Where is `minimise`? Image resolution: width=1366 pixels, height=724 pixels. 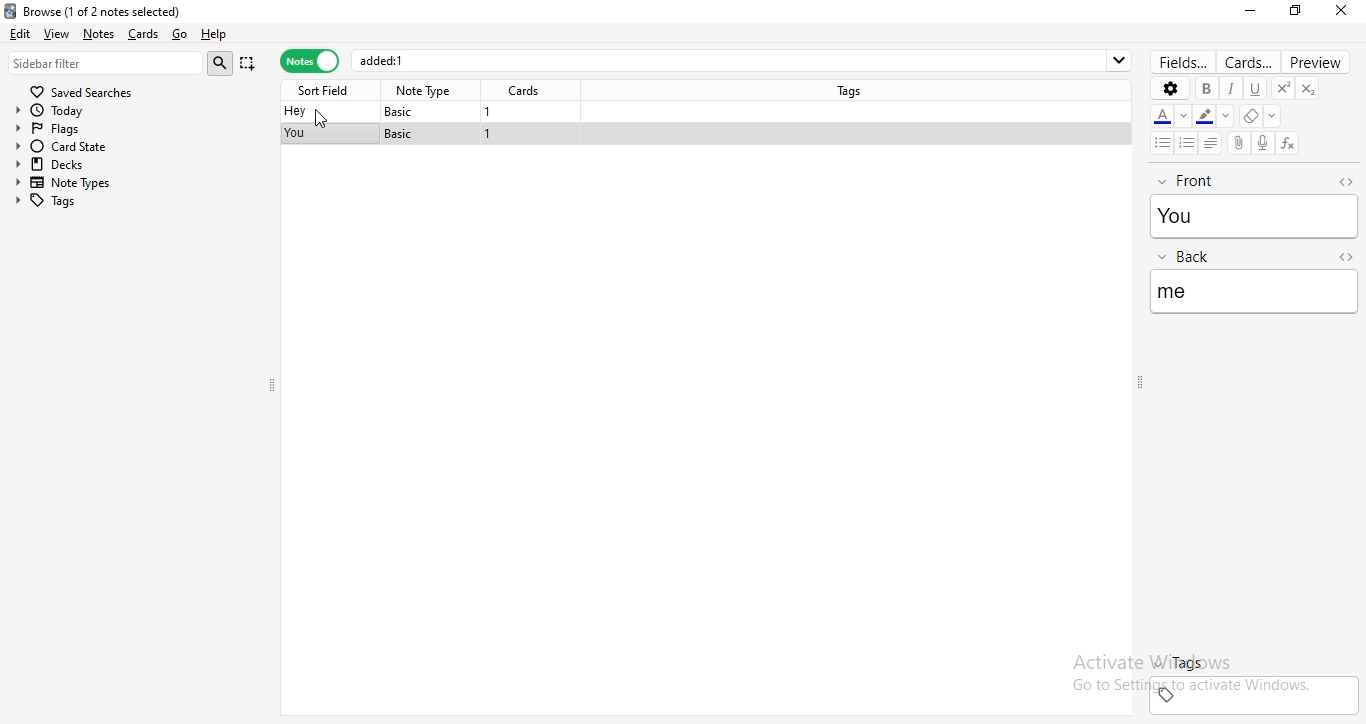 minimise is located at coordinates (1254, 10).